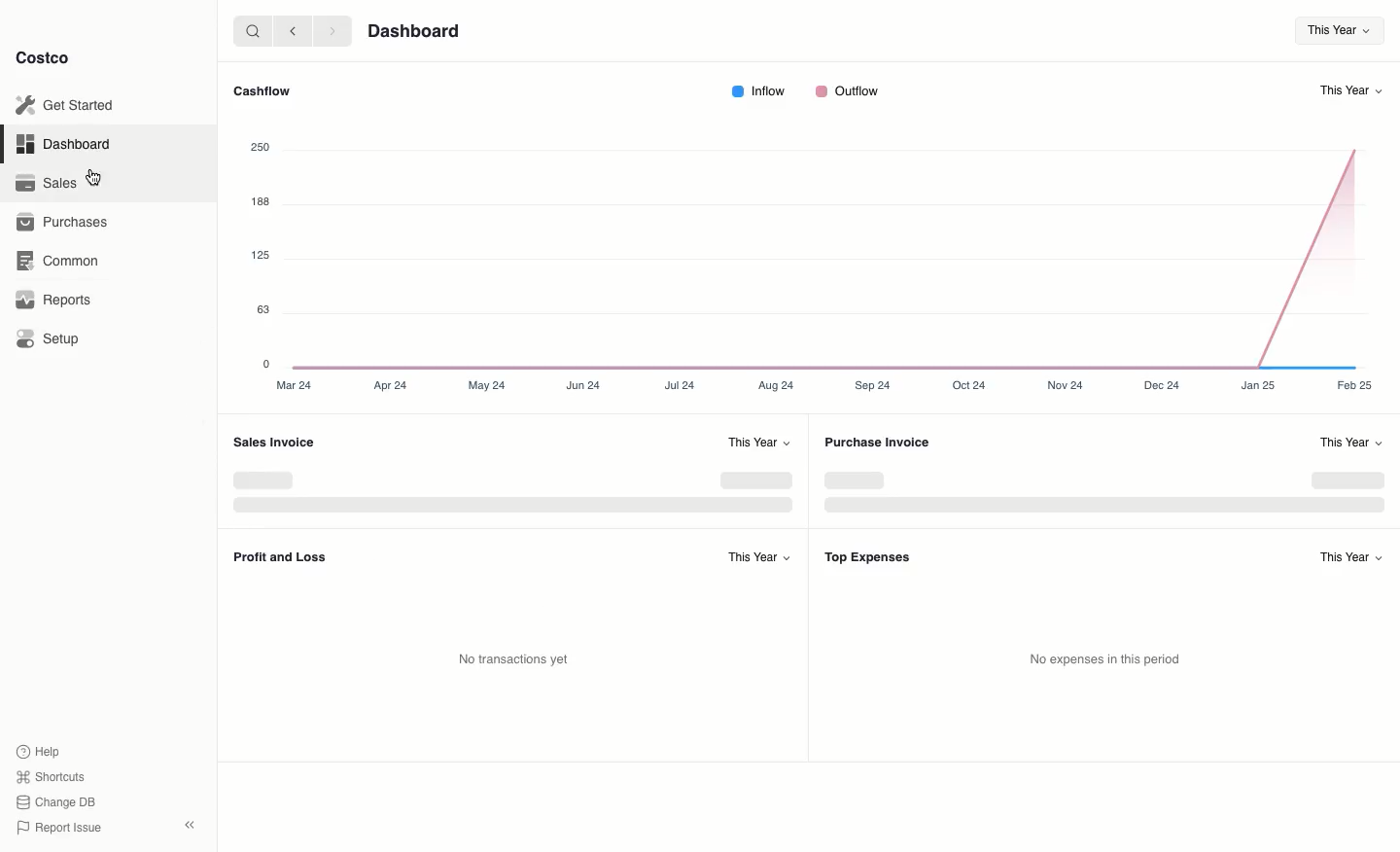 The width and height of the screenshot is (1400, 852). I want to click on Apr24, so click(389, 384).